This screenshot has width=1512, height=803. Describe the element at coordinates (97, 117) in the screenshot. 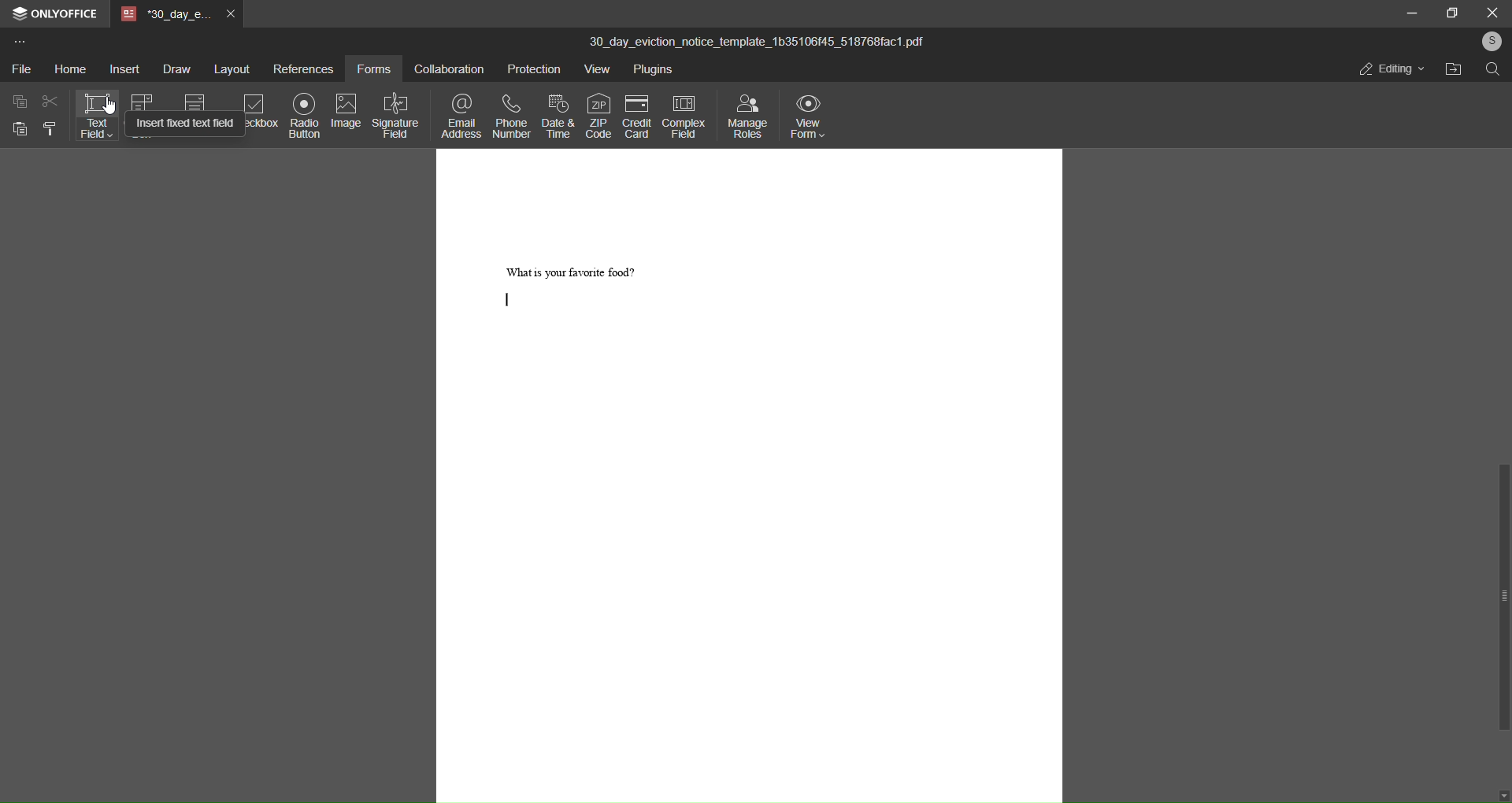

I see `text field` at that location.